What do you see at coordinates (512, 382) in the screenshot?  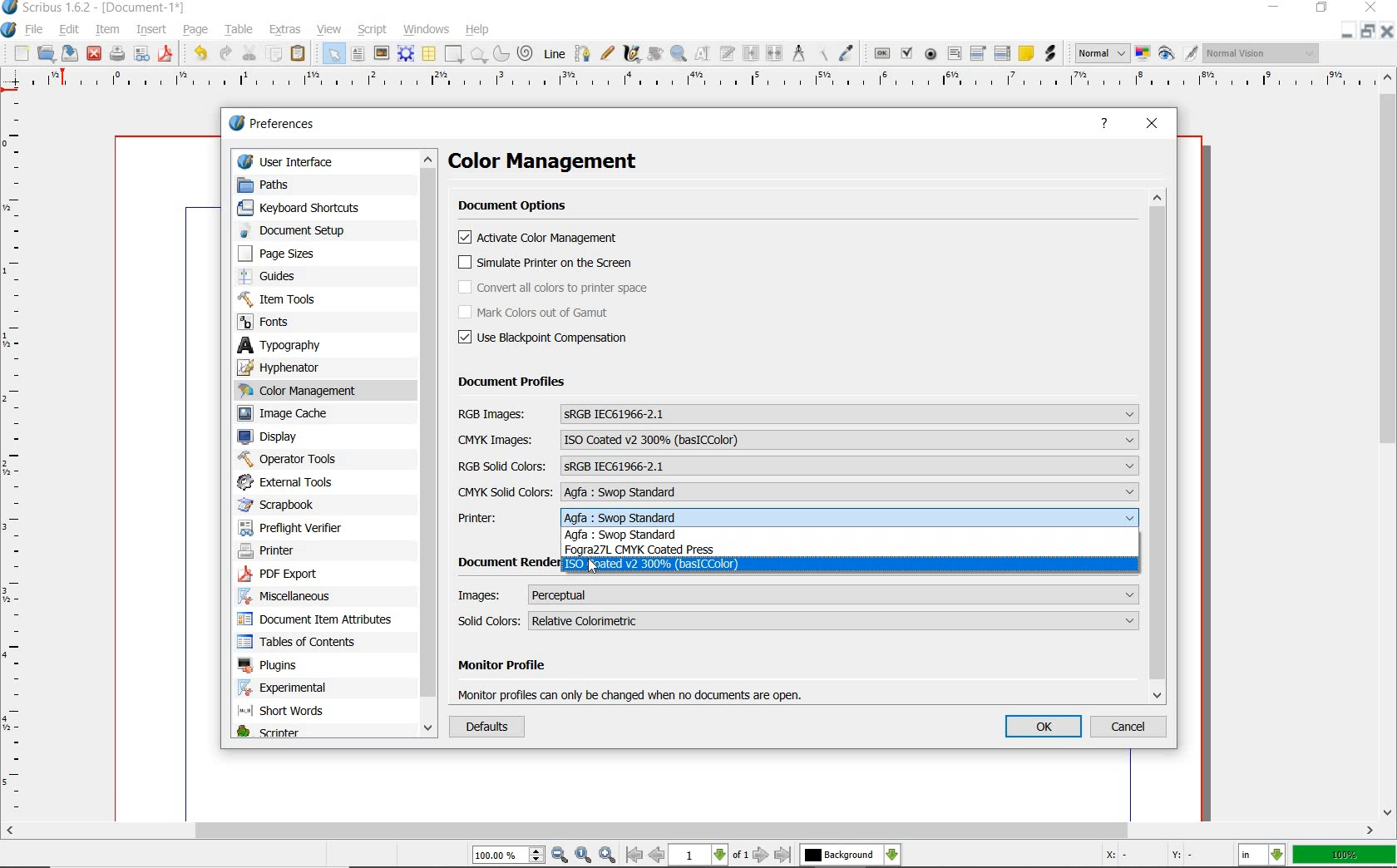 I see `DOCUMENT PROFILES` at bounding box center [512, 382].